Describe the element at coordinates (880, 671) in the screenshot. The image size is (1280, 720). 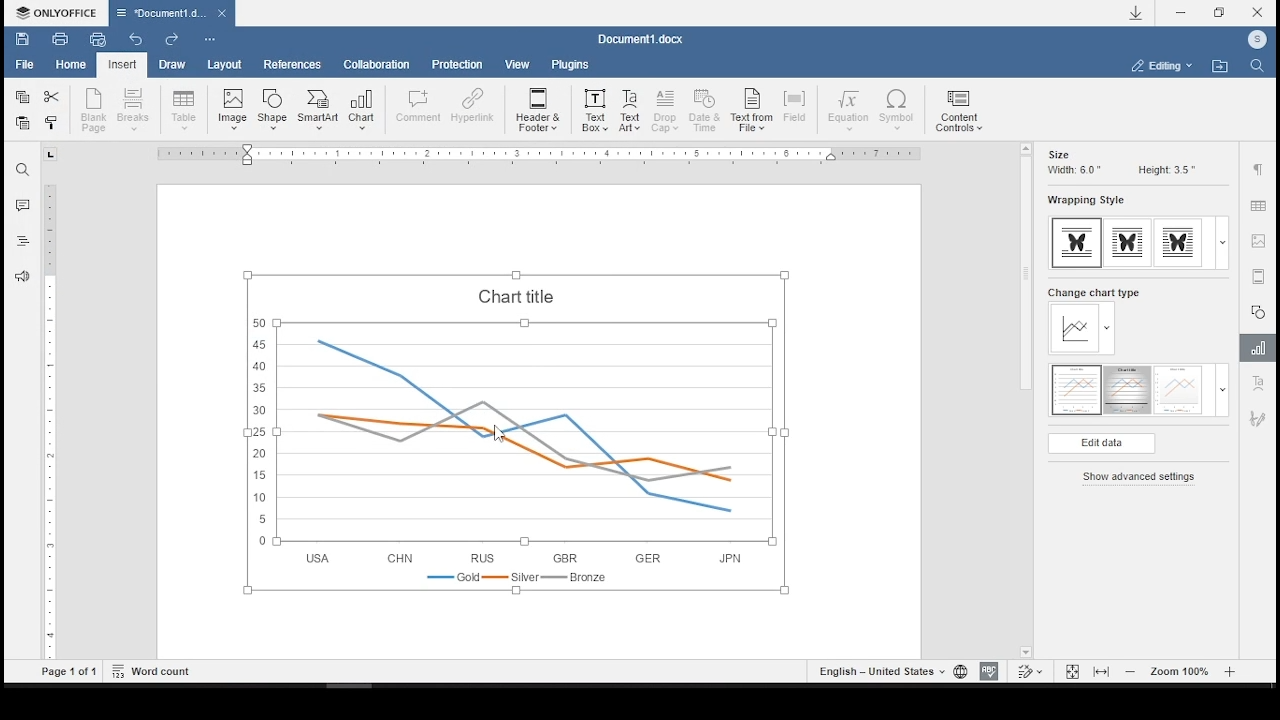
I see `set text language` at that location.